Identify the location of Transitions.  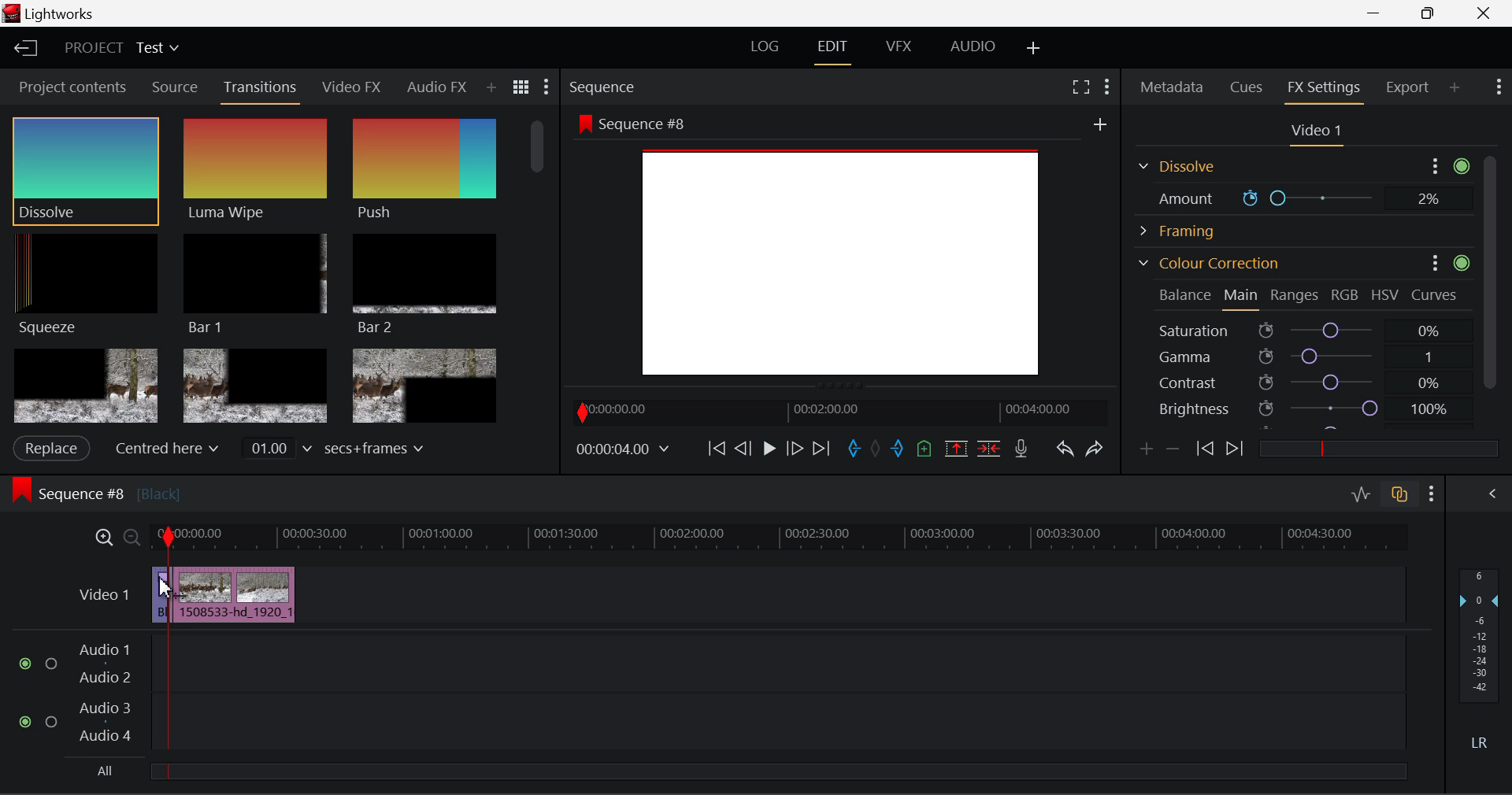
(261, 89).